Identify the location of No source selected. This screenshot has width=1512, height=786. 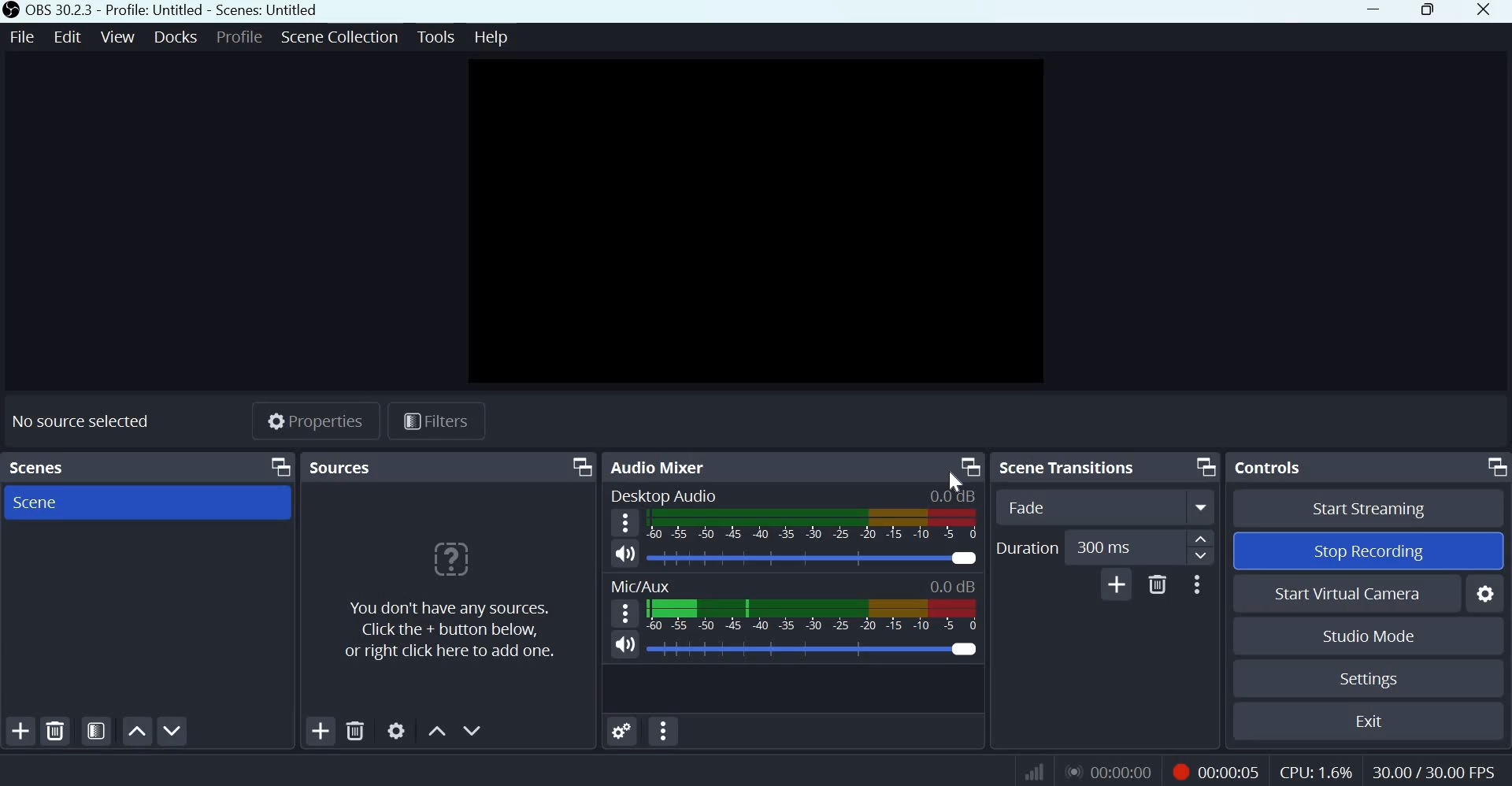
(83, 422).